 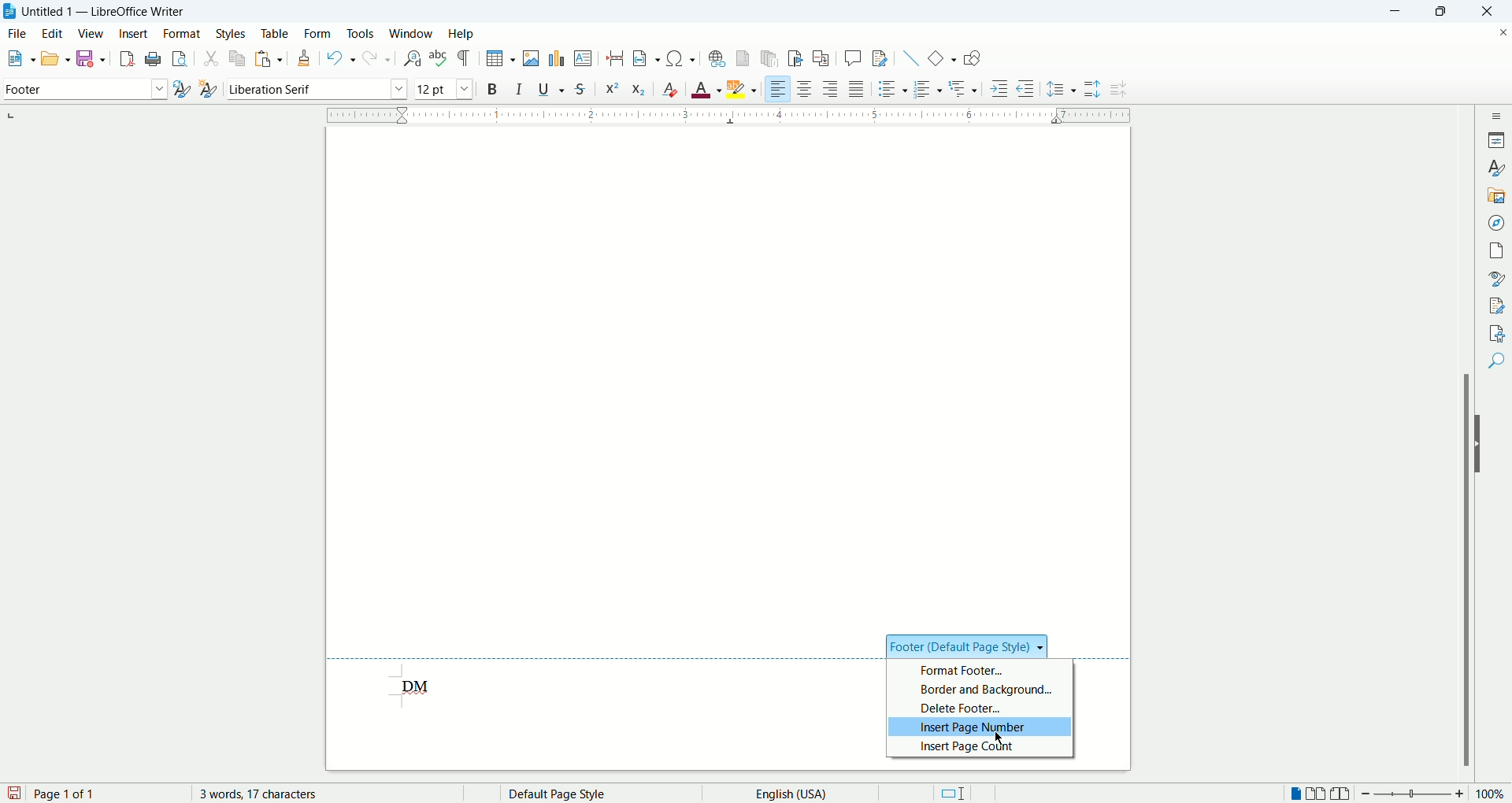 I want to click on superscript, so click(x=610, y=87).